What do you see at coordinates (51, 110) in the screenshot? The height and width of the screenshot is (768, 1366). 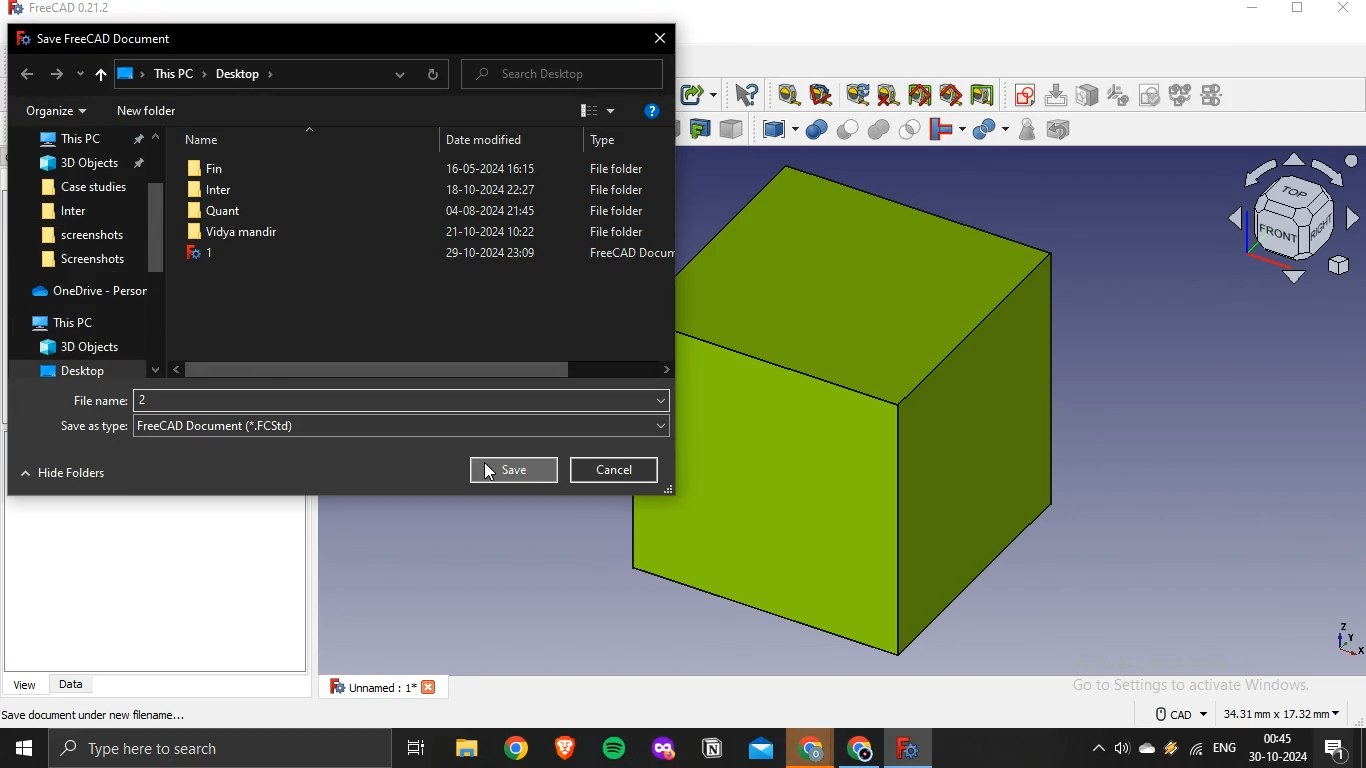 I see `Organize` at bounding box center [51, 110].